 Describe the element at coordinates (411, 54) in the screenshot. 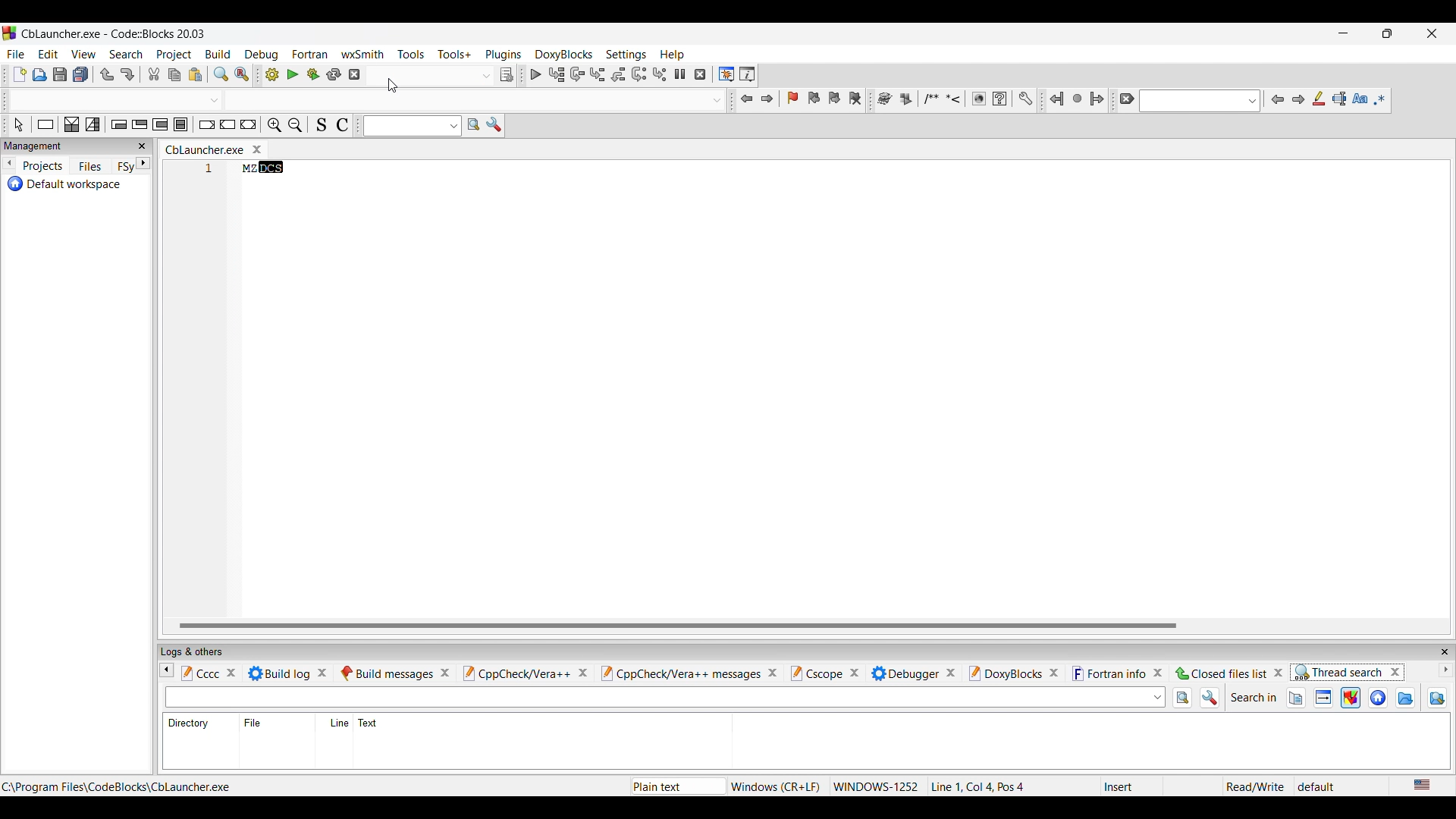

I see `Tools menu` at that location.